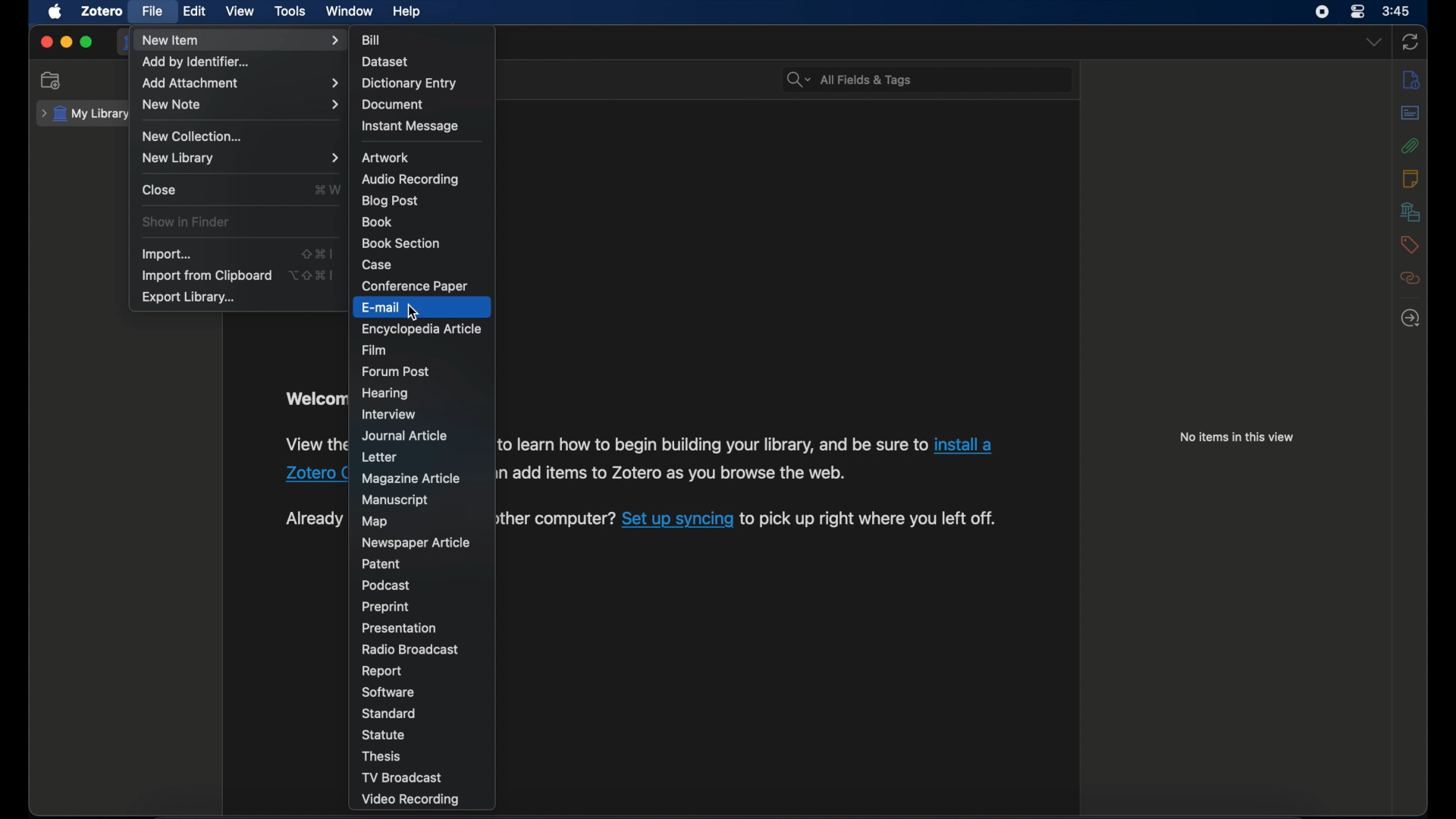 The height and width of the screenshot is (819, 1456). Describe the element at coordinates (52, 80) in the screenshot. I see `new collection` at that location.